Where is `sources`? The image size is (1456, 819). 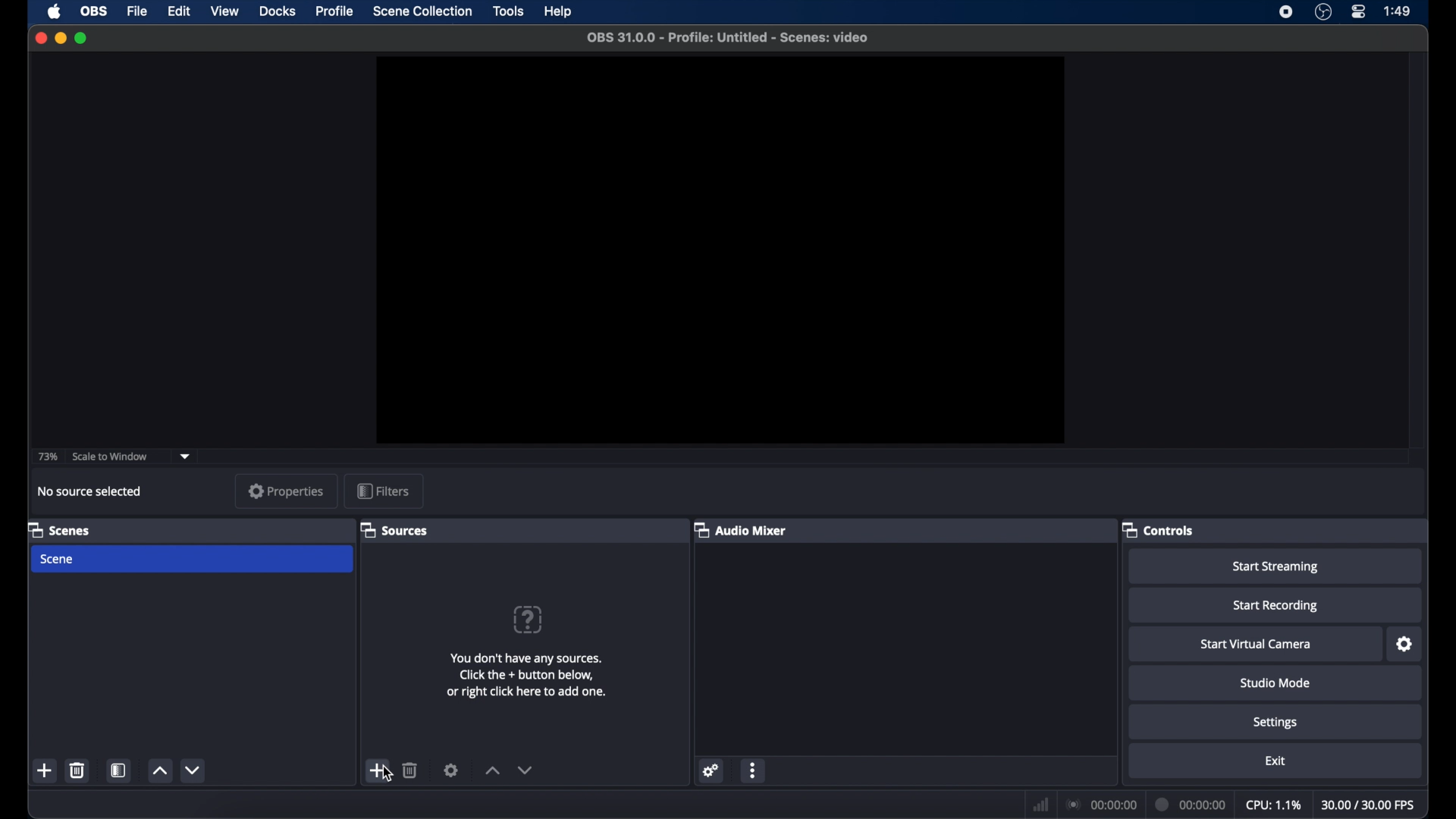
sources is located at coordinates (395, 530).